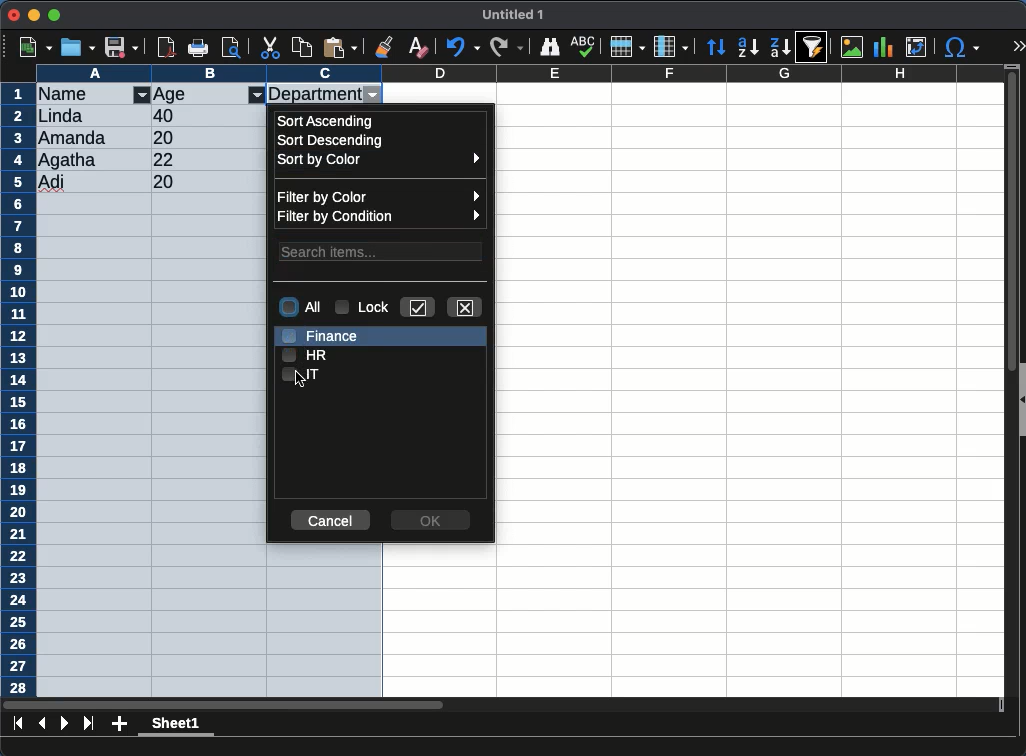  I want to click on pdf reader, so click(166, 49).